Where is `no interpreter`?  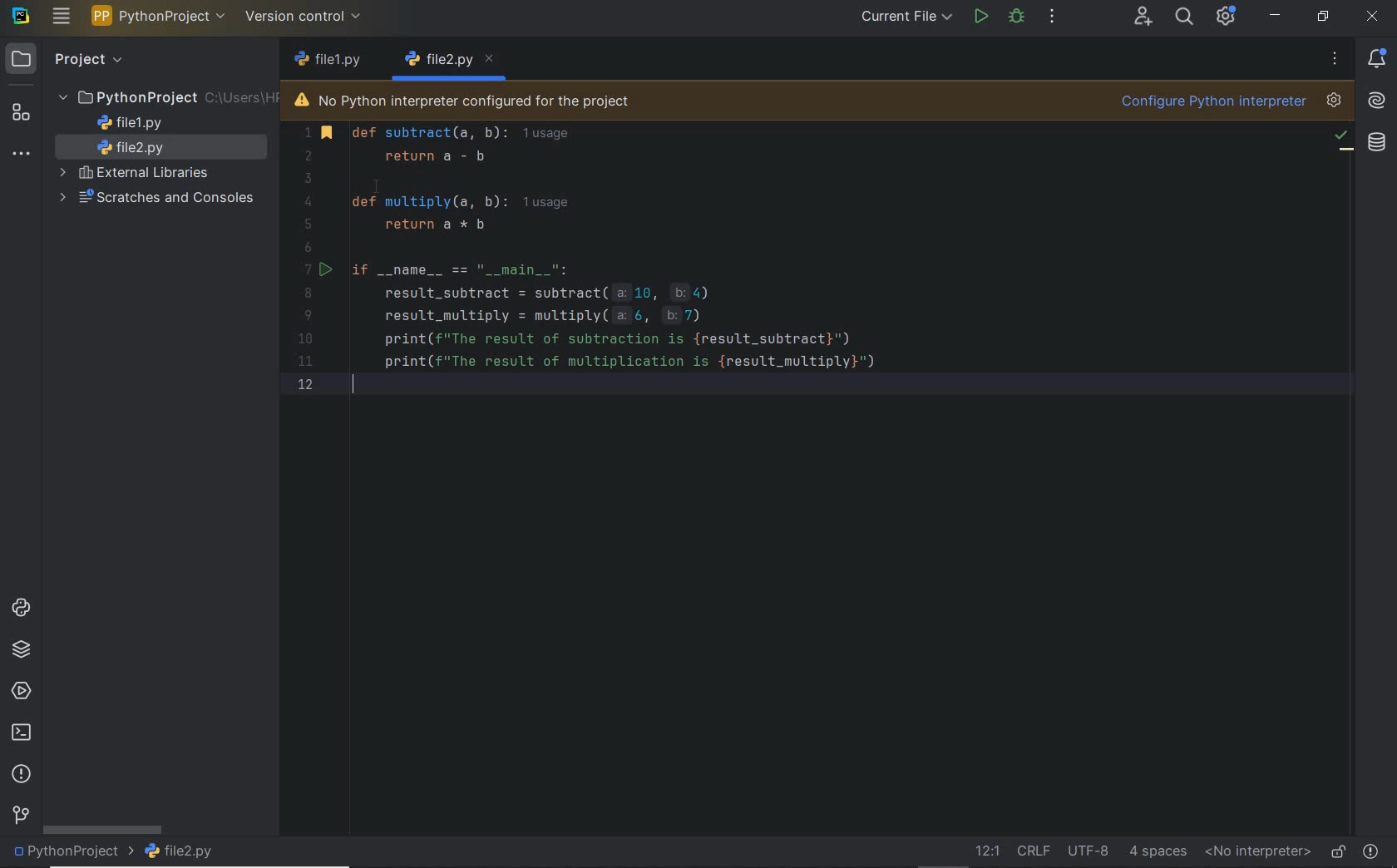
no interpreter is located at coordinates (1257, 852).